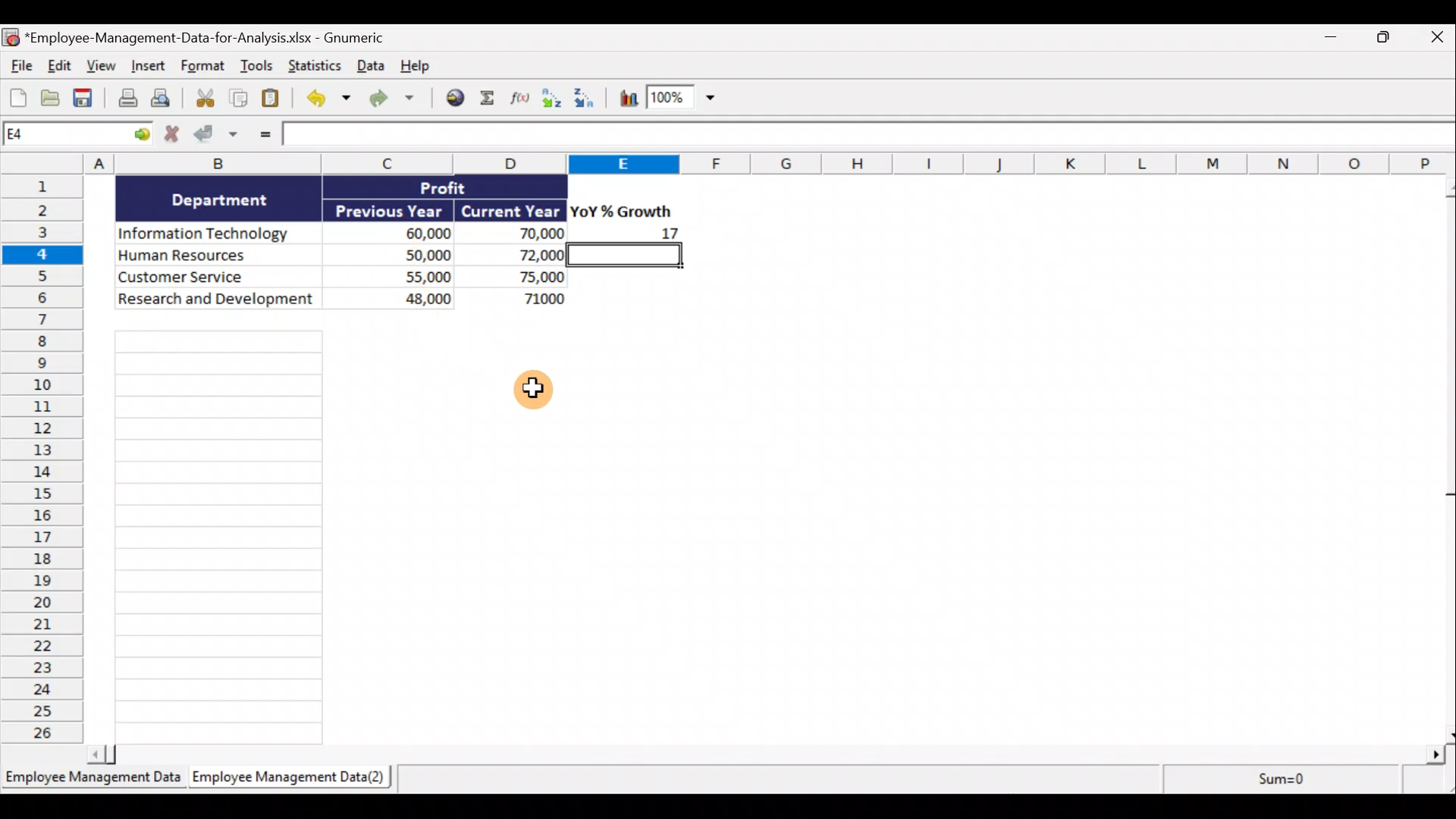 The image size is (1456, 819). Describe the element at coordinates (415, 67) in the screenshot. I see `Help` at that location.